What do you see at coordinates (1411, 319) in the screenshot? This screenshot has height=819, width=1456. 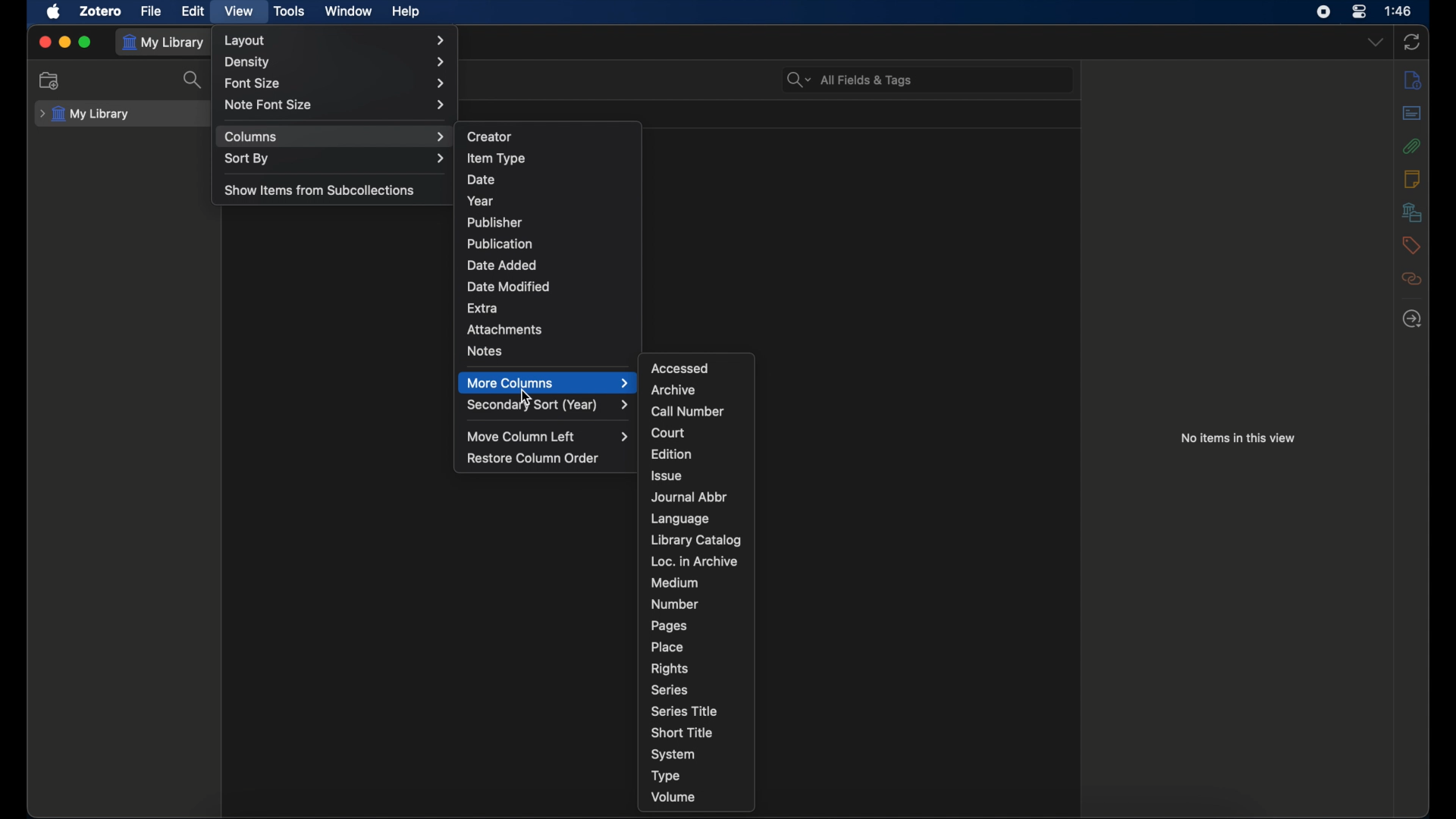 I see `locate` at bounding box center [1411, 319].